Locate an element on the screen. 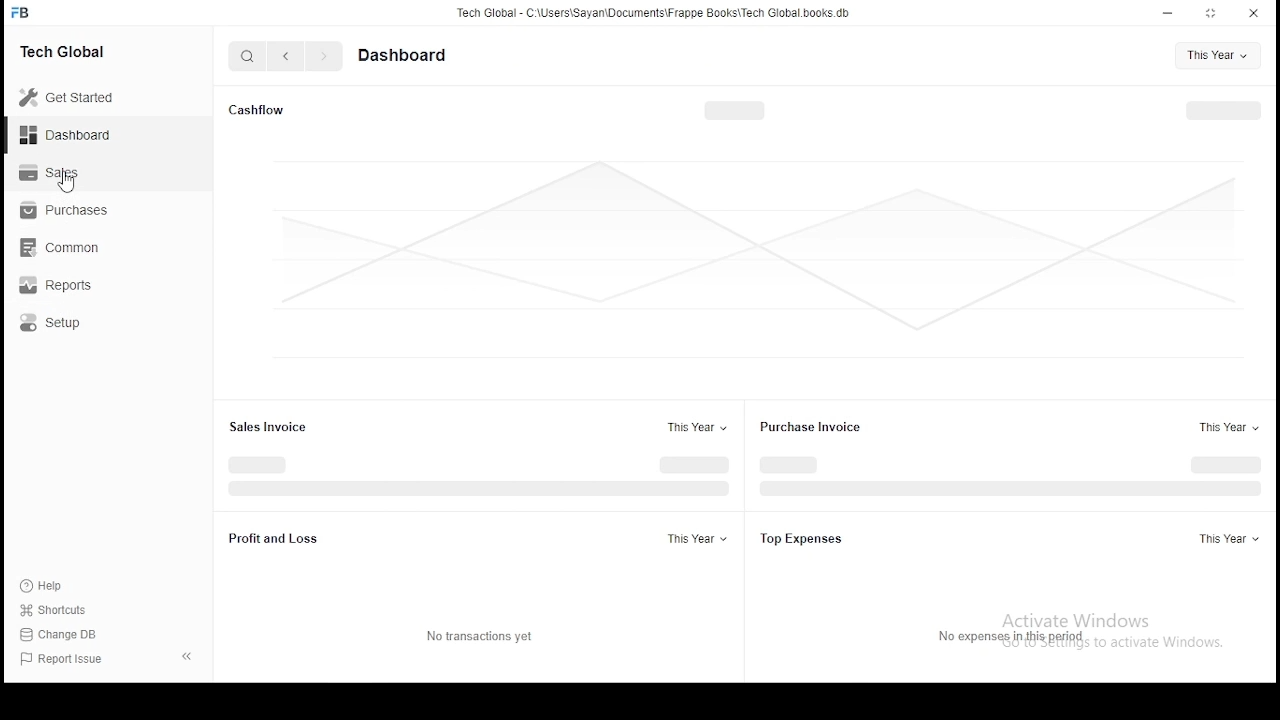 The width and height of the screenshot is (1280, 720). change DB is located at coordinates (61, 633).